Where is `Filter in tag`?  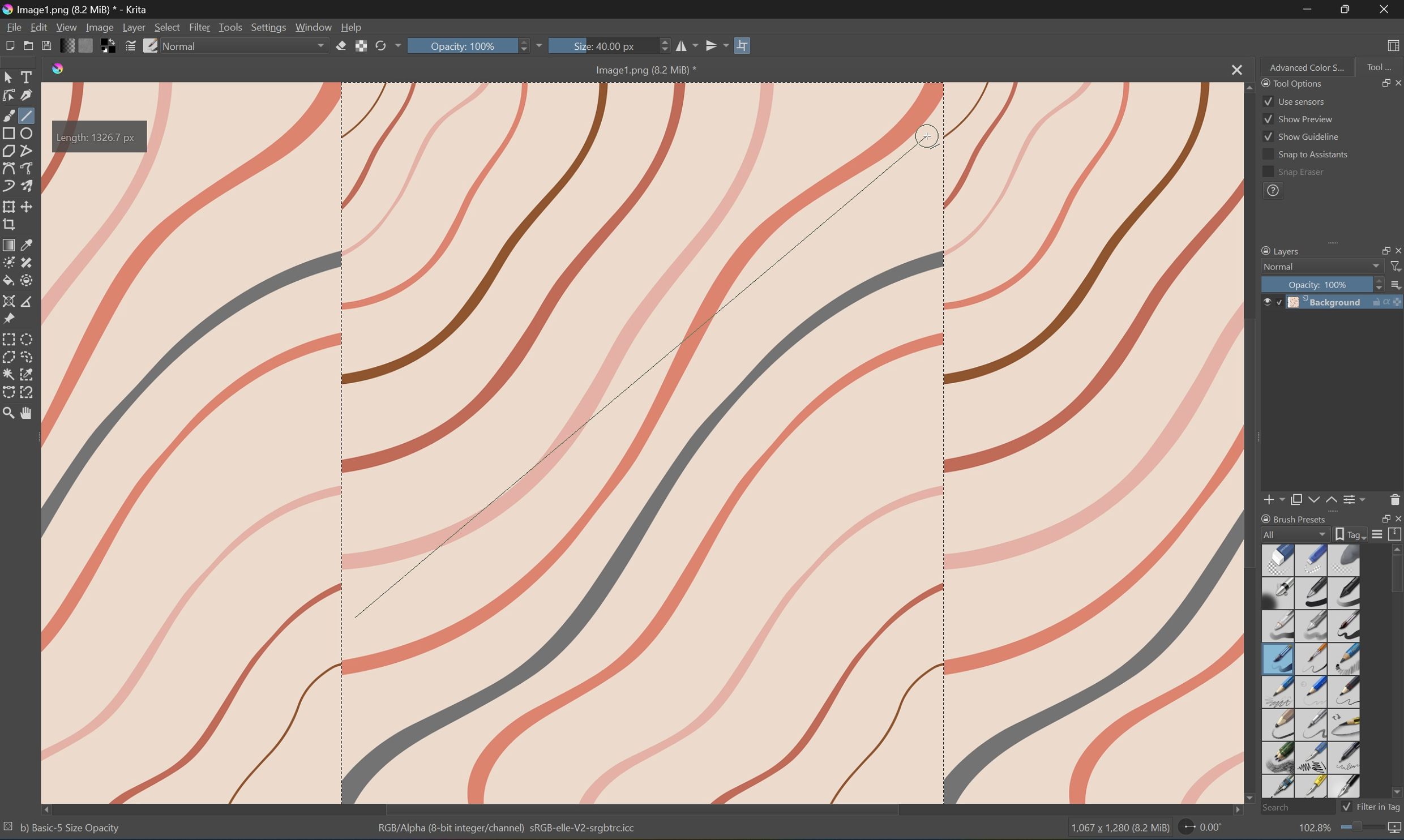 Filter in tag is located at coordinates (1380, 807).